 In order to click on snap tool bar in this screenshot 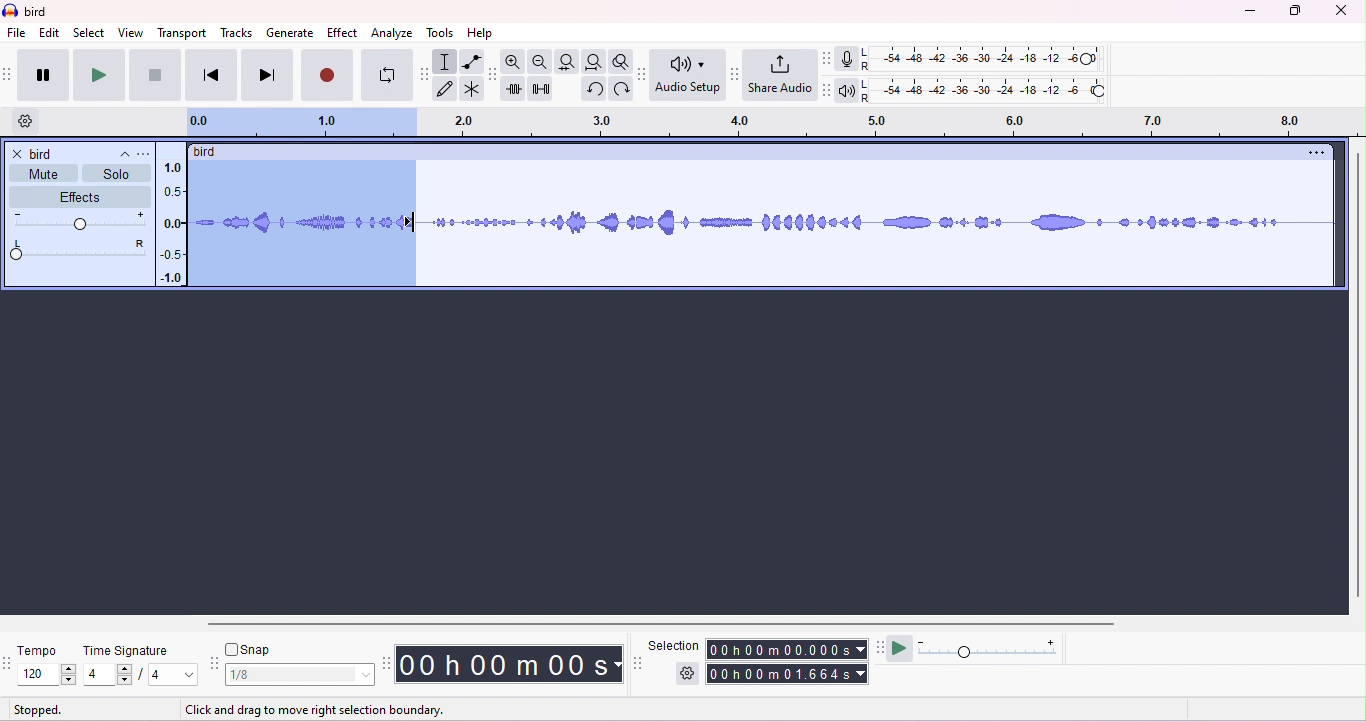, I will do `click(214, 663)`.